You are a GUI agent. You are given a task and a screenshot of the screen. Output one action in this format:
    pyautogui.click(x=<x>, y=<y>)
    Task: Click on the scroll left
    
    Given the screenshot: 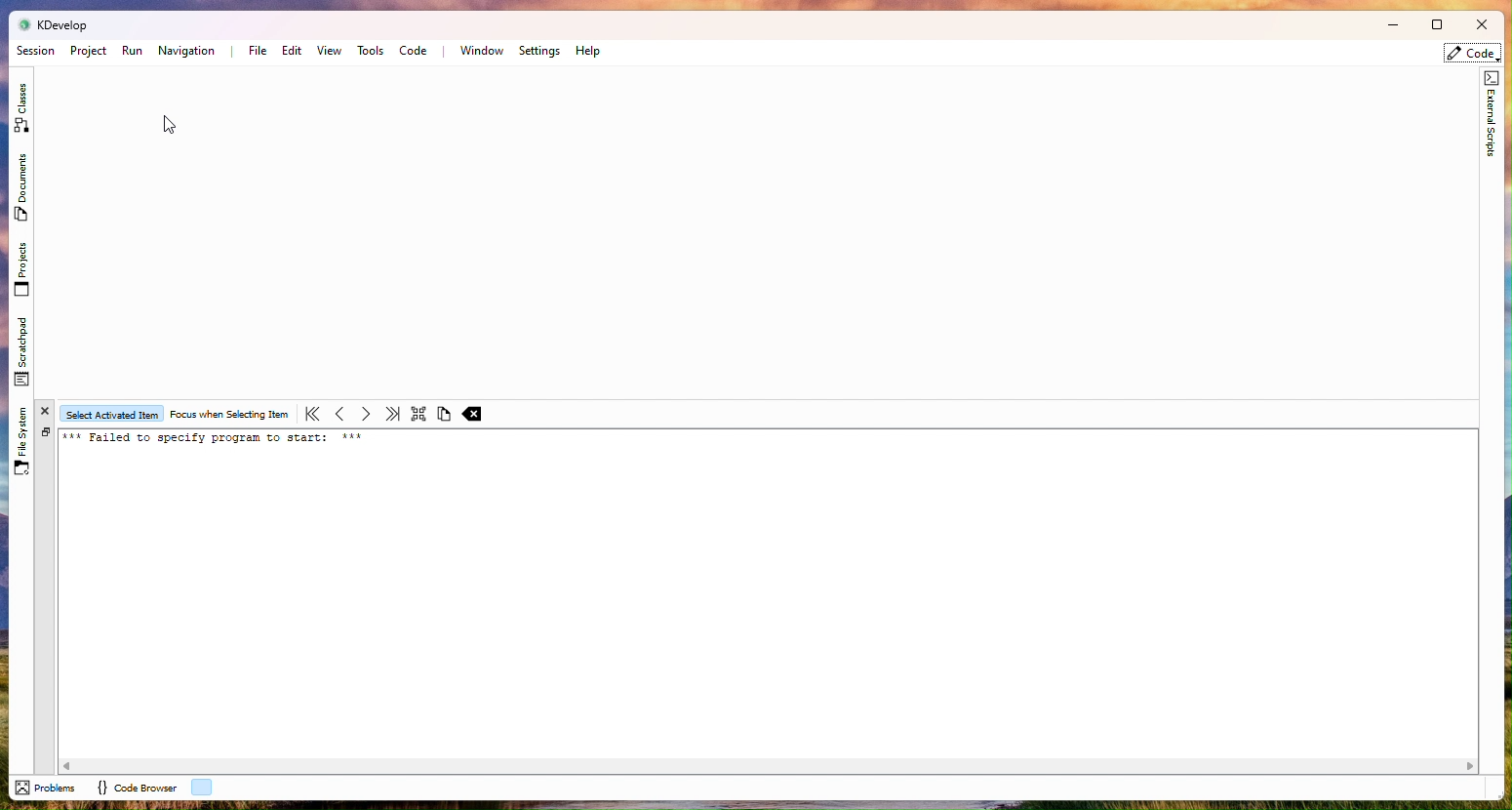 What is the action you would take?
    pyautogui.click(x=68, y=765)
    